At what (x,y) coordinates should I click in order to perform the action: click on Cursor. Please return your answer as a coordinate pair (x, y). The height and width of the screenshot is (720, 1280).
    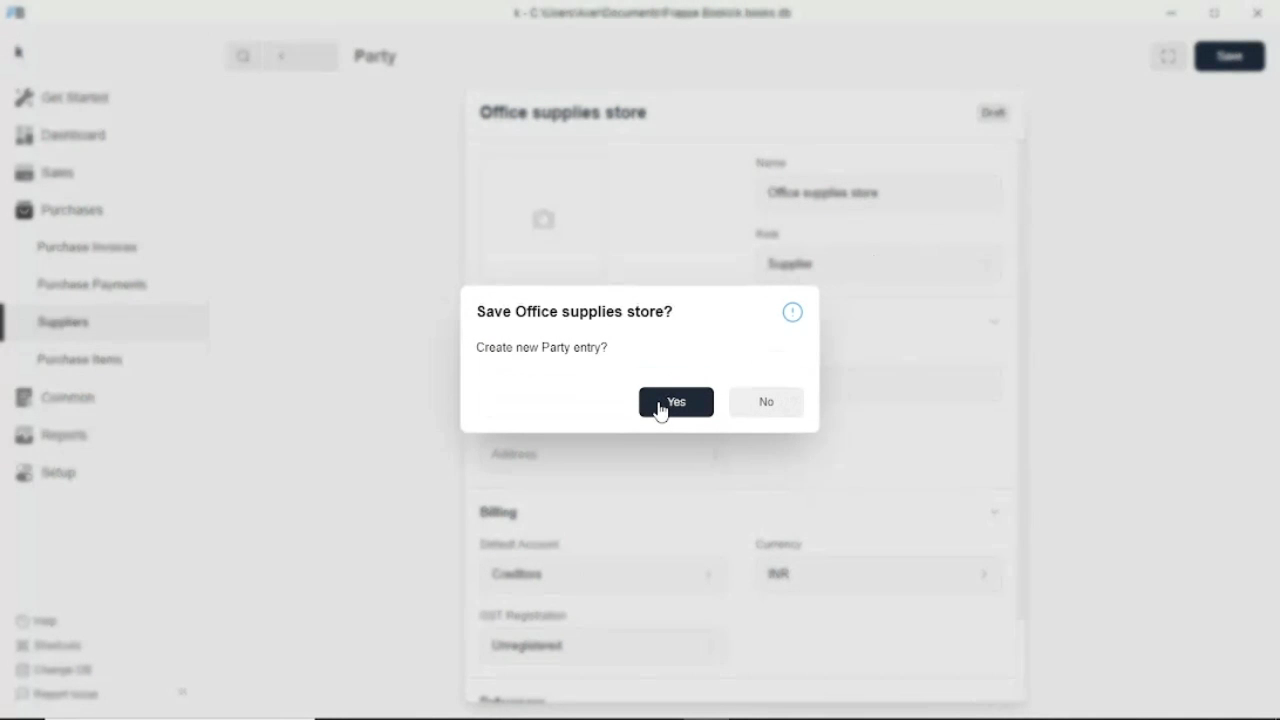
    Looking at the image, I should click on (660, 412).